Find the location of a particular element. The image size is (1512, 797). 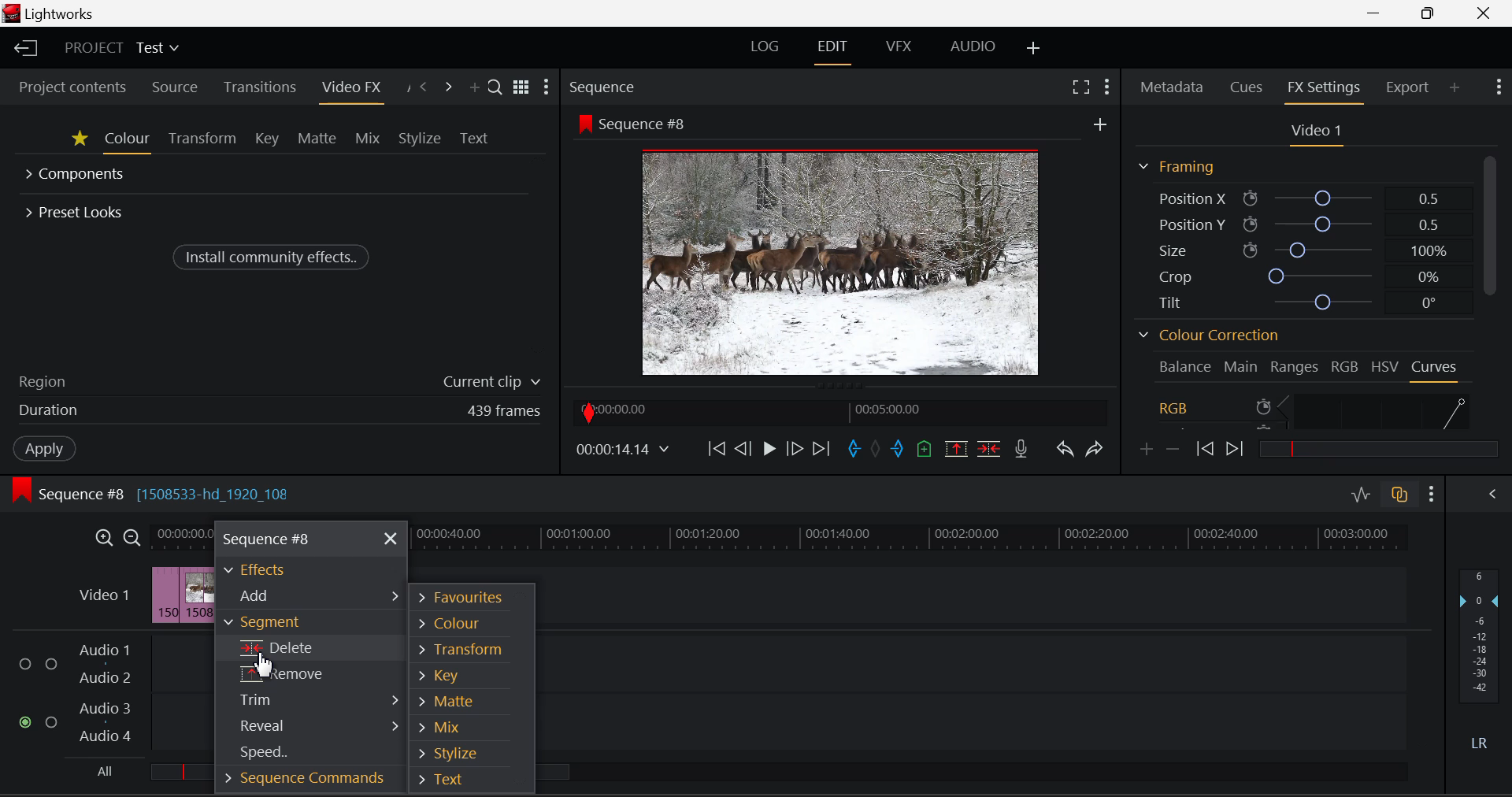

Timeline Zoom Out is located at coordinates (131, 538).